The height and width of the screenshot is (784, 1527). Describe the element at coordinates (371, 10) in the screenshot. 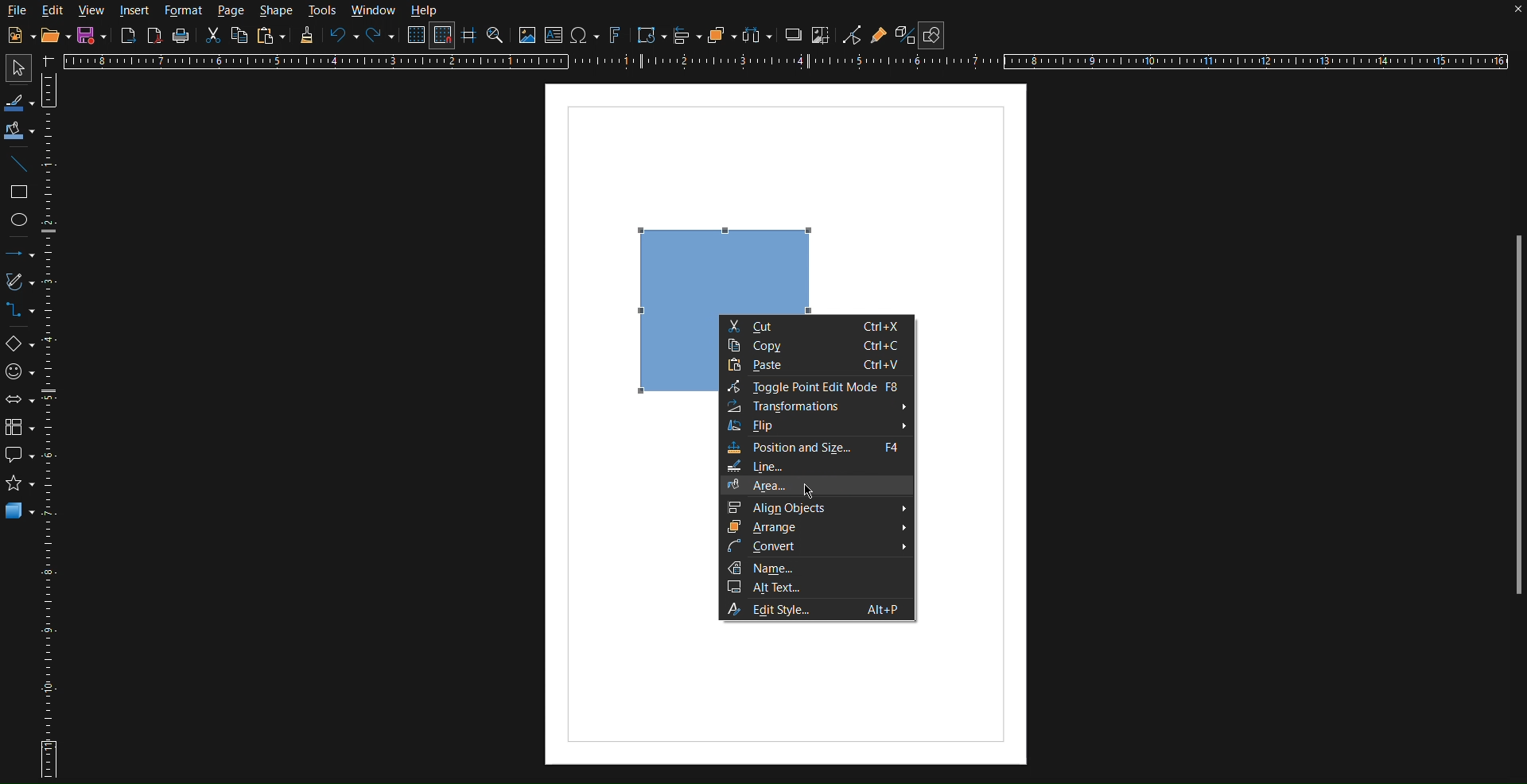

I see `Window` at that location.